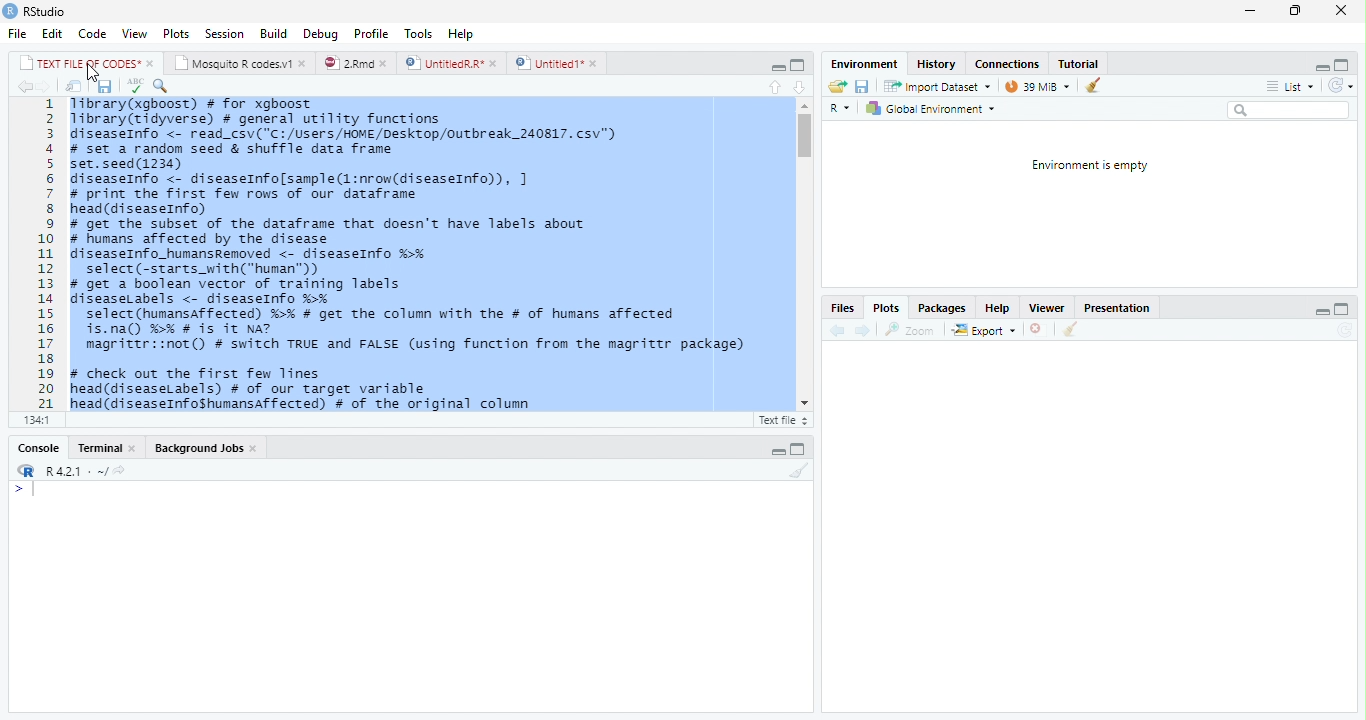  What do you see at coordinates (206, 447) in the screenshot?
I see `Background Jobs` at bounding box center [206, 447].